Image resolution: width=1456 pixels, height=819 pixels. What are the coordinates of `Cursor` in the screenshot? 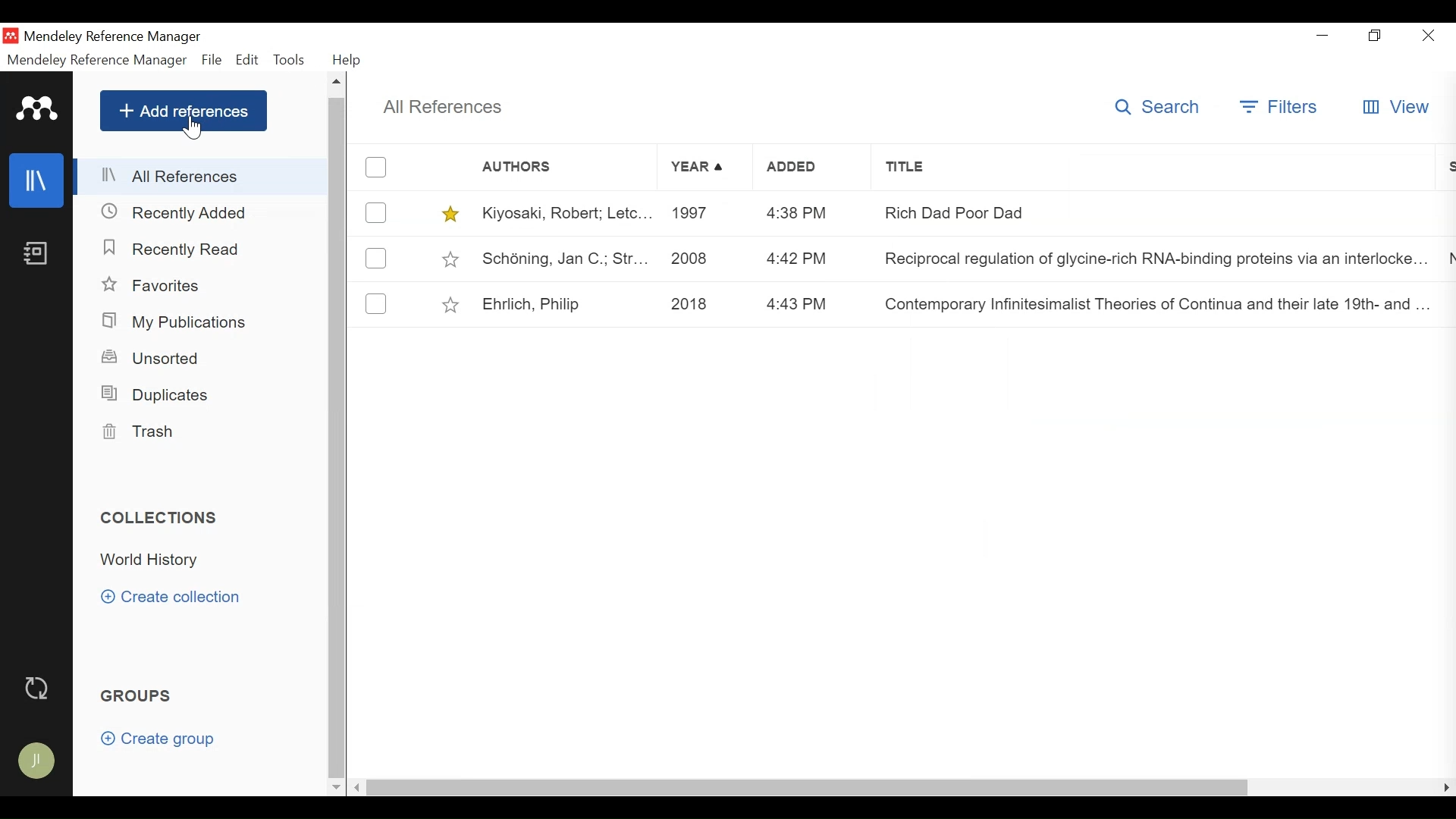 It's located at (192, 129).